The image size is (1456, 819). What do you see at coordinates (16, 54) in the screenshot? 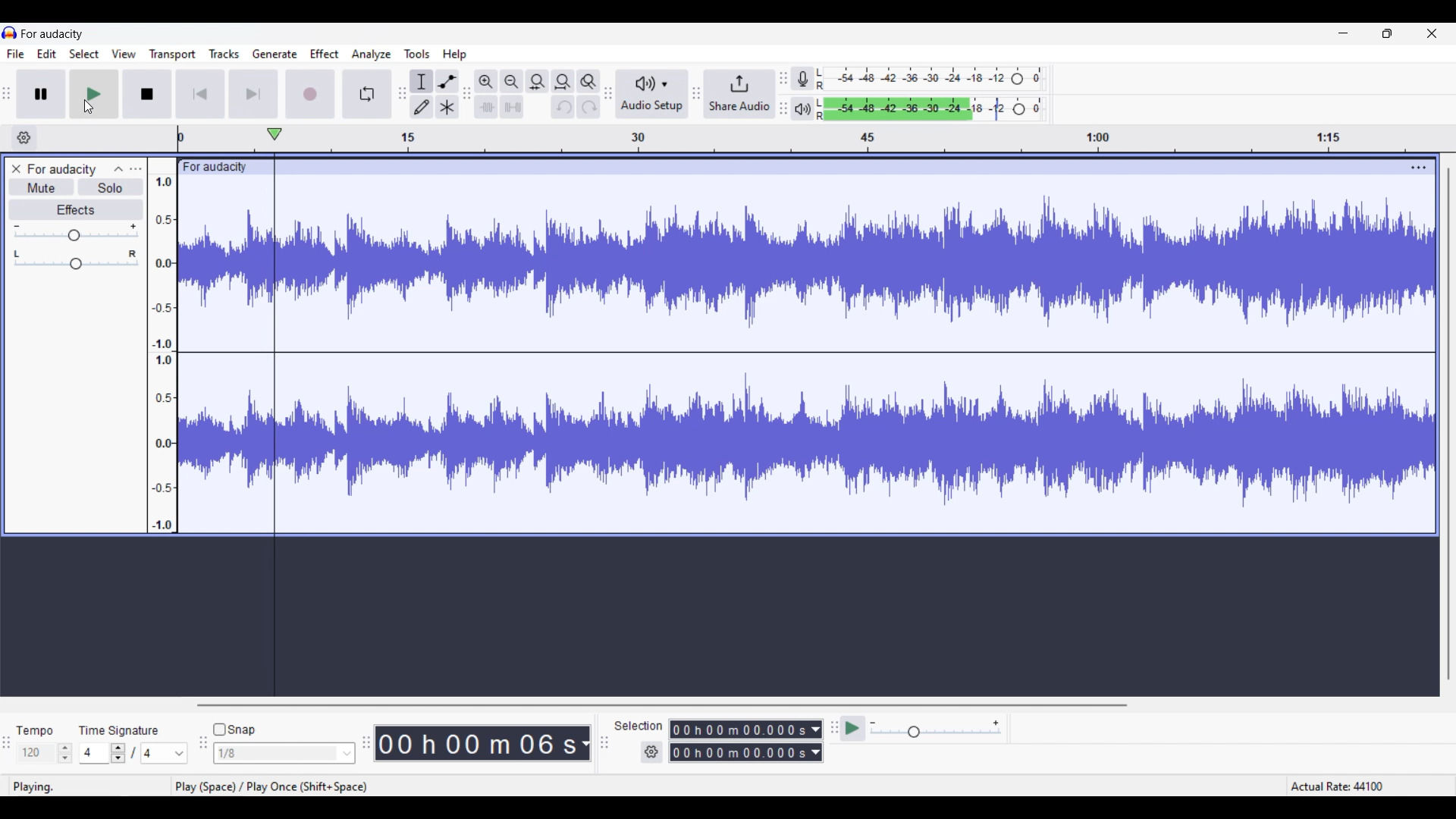
I see `File menu` at bounding box center [16, 54].